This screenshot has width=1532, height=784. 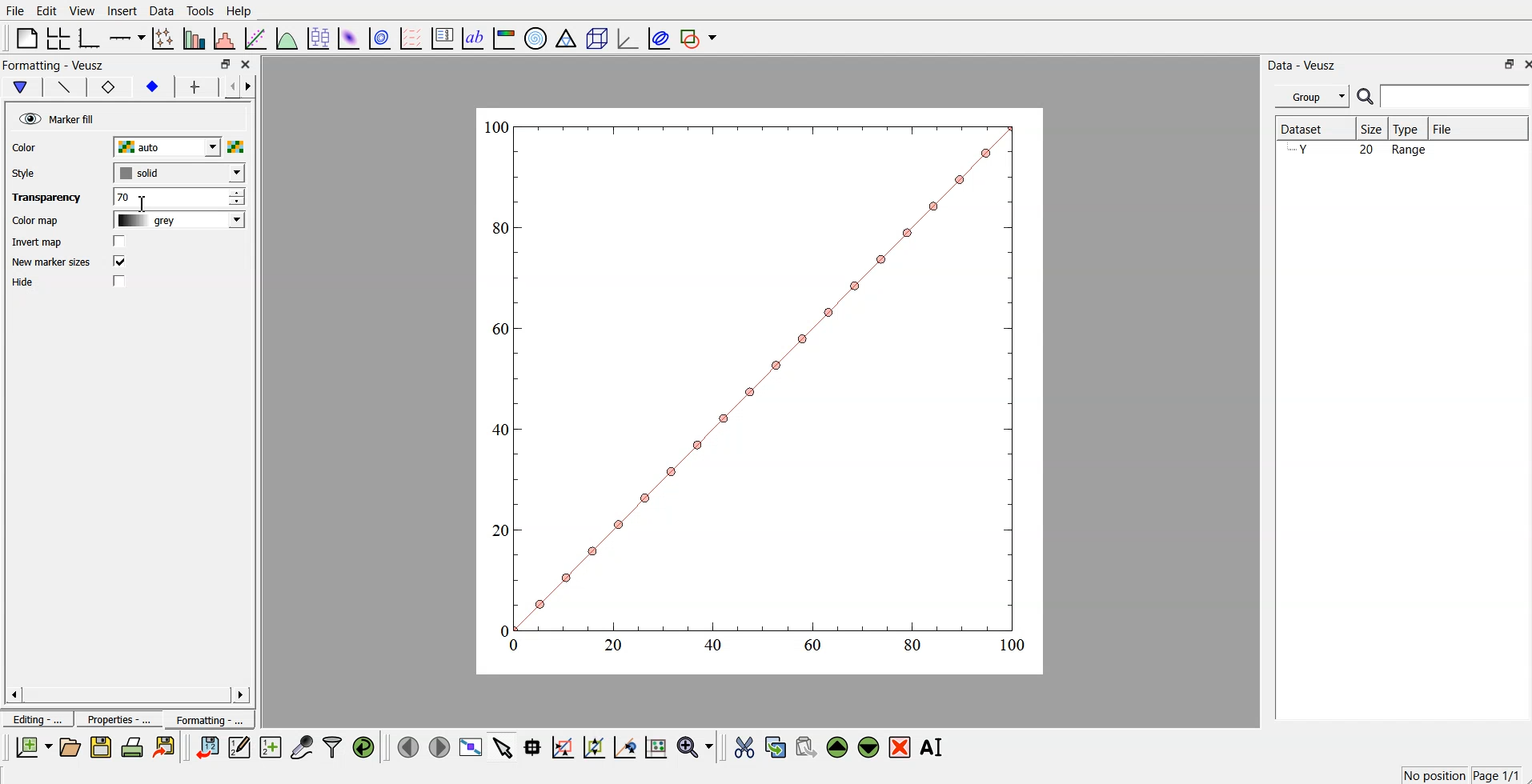 I want to click on next, so click(x=251, y=89).